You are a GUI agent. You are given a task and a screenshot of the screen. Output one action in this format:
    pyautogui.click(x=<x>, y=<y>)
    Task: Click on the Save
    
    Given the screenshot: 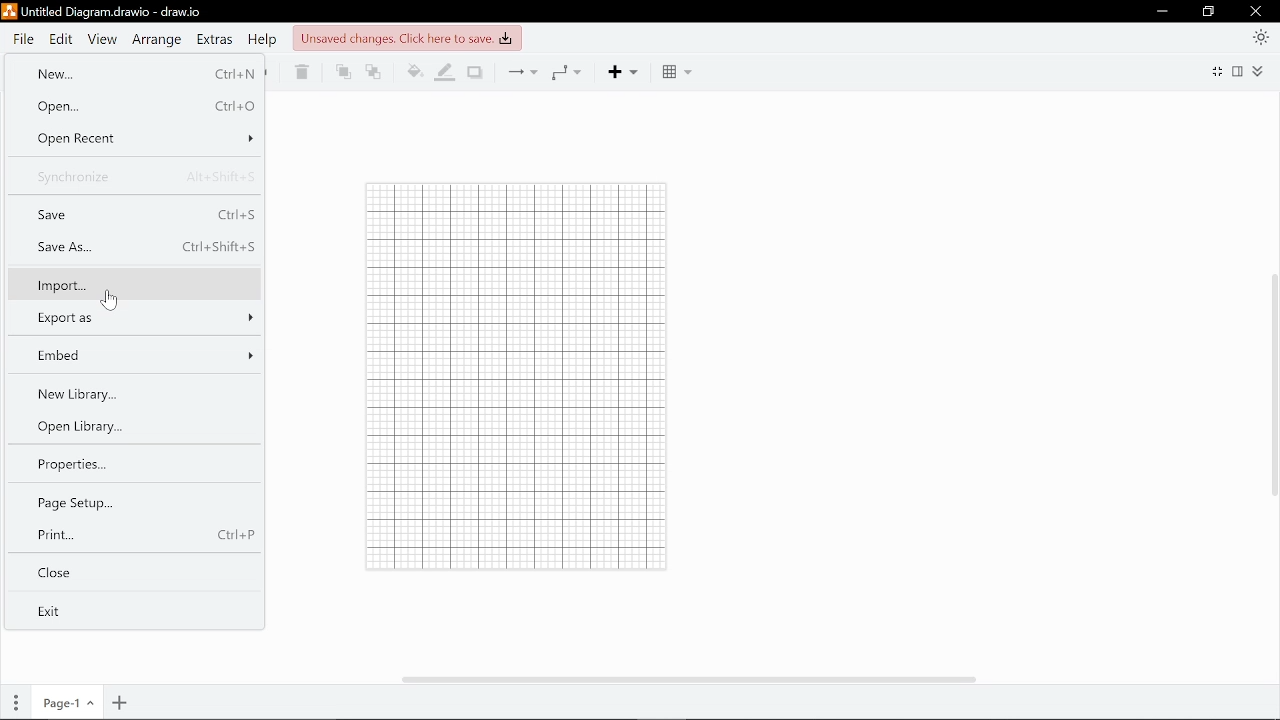 What is the action you would take?
    pyautogui.click(x=137, y=215)
    